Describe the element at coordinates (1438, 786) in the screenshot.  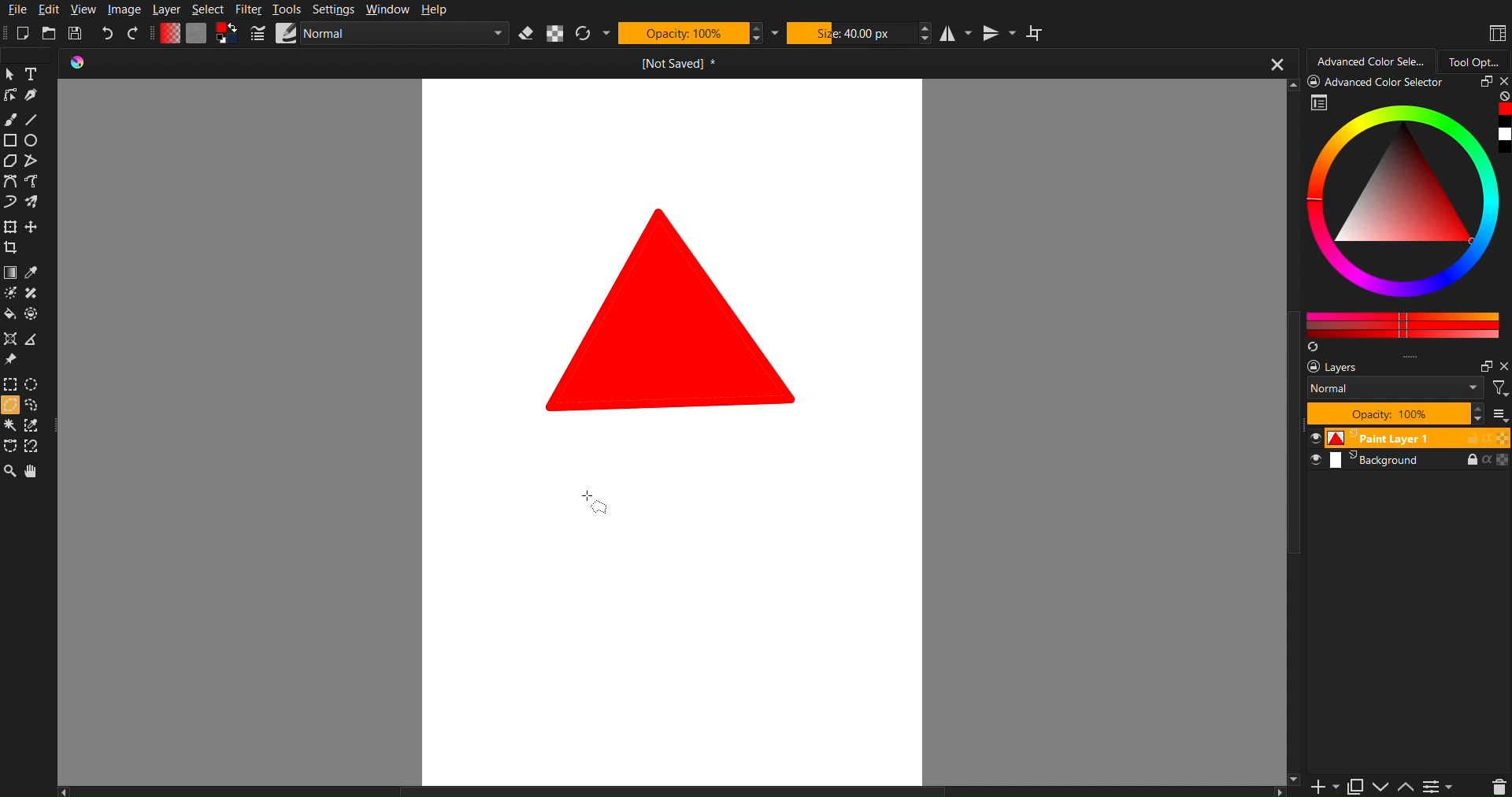
I see `Menu` at that location.